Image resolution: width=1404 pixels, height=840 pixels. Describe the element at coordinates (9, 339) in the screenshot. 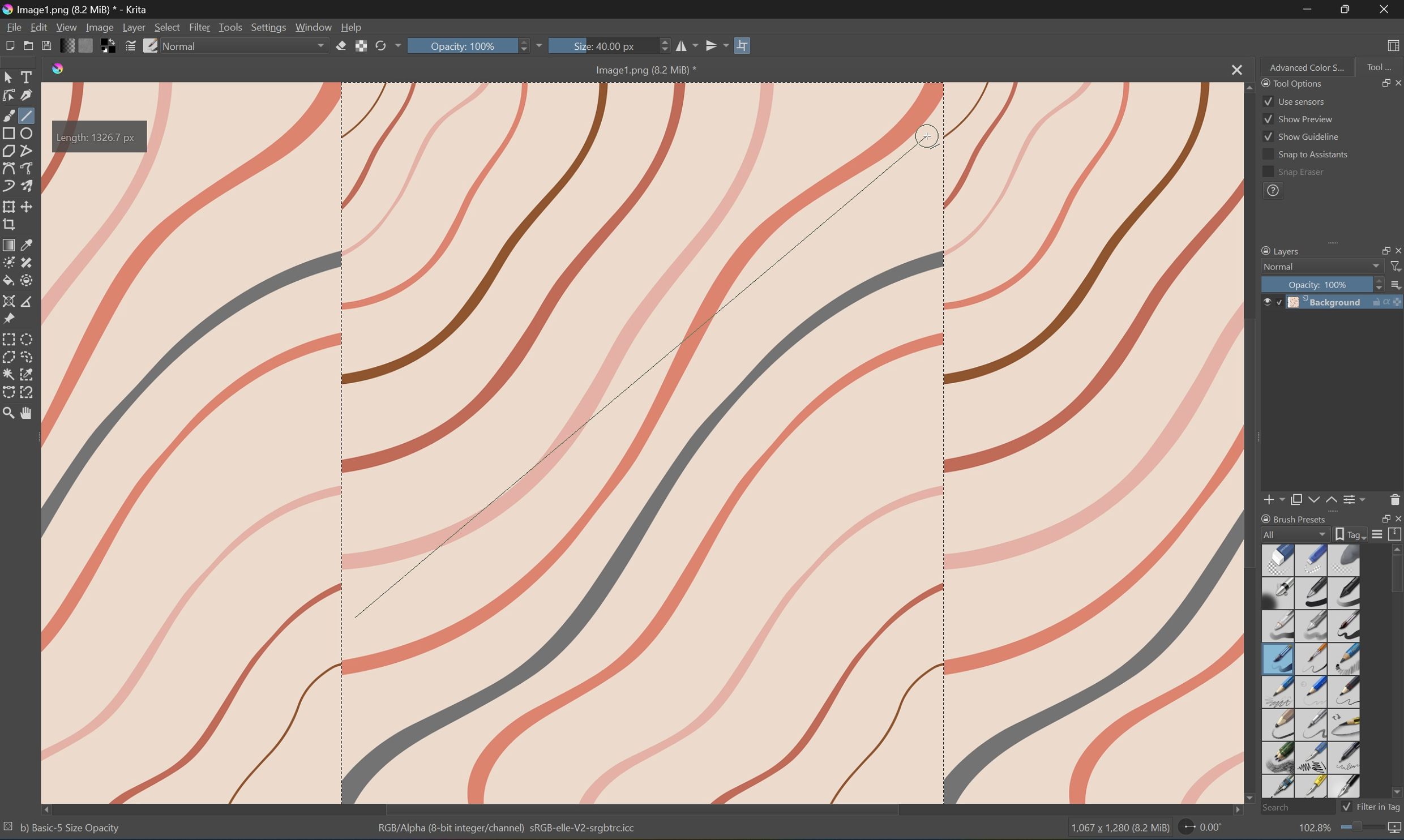

I see `Rectangular selection` at that location.